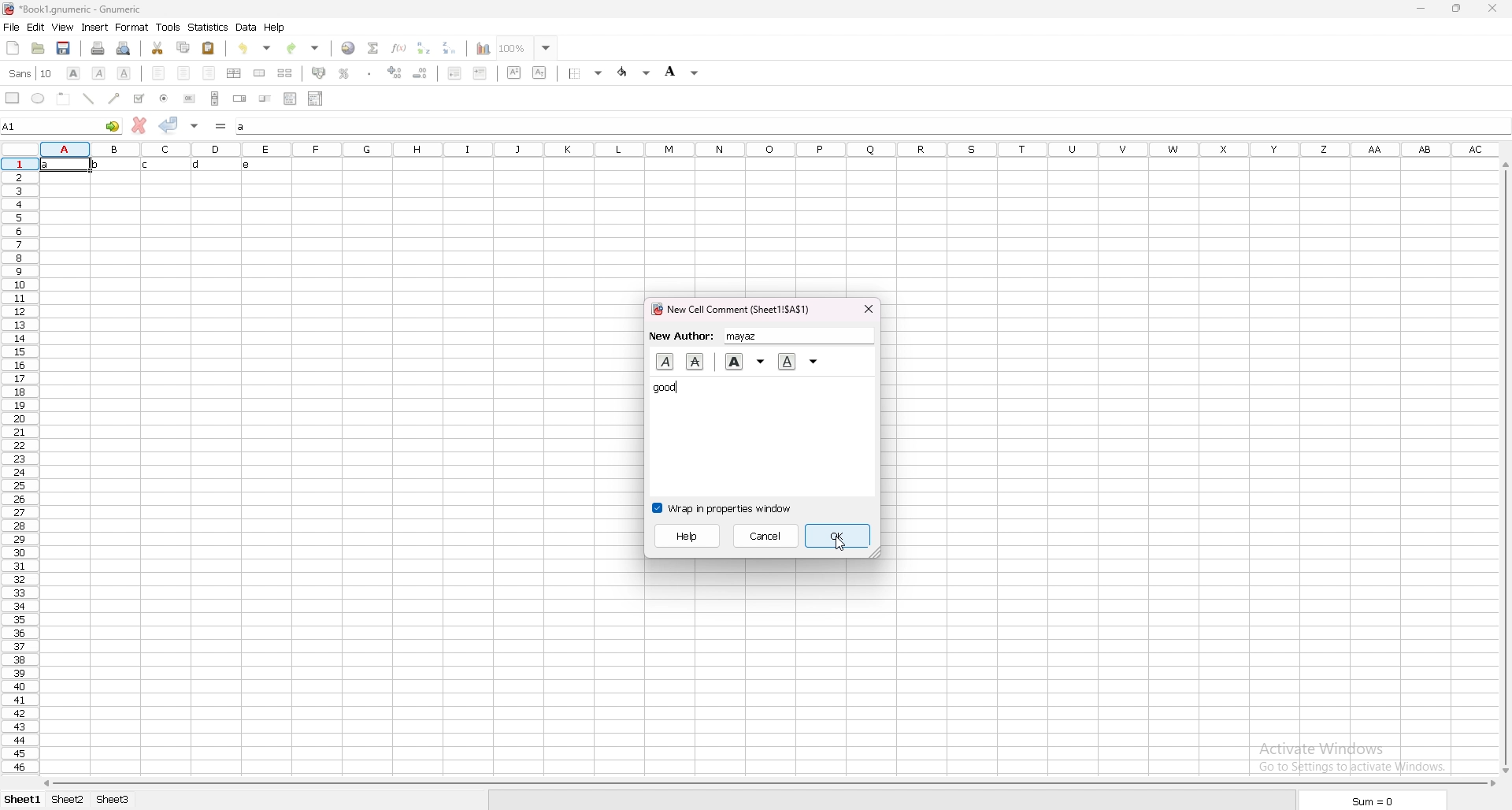 The width and height of the screenshot is (1512, 810). Describe the element at coordinates (124, 73) in the screenshot. I see `underline` at that location.